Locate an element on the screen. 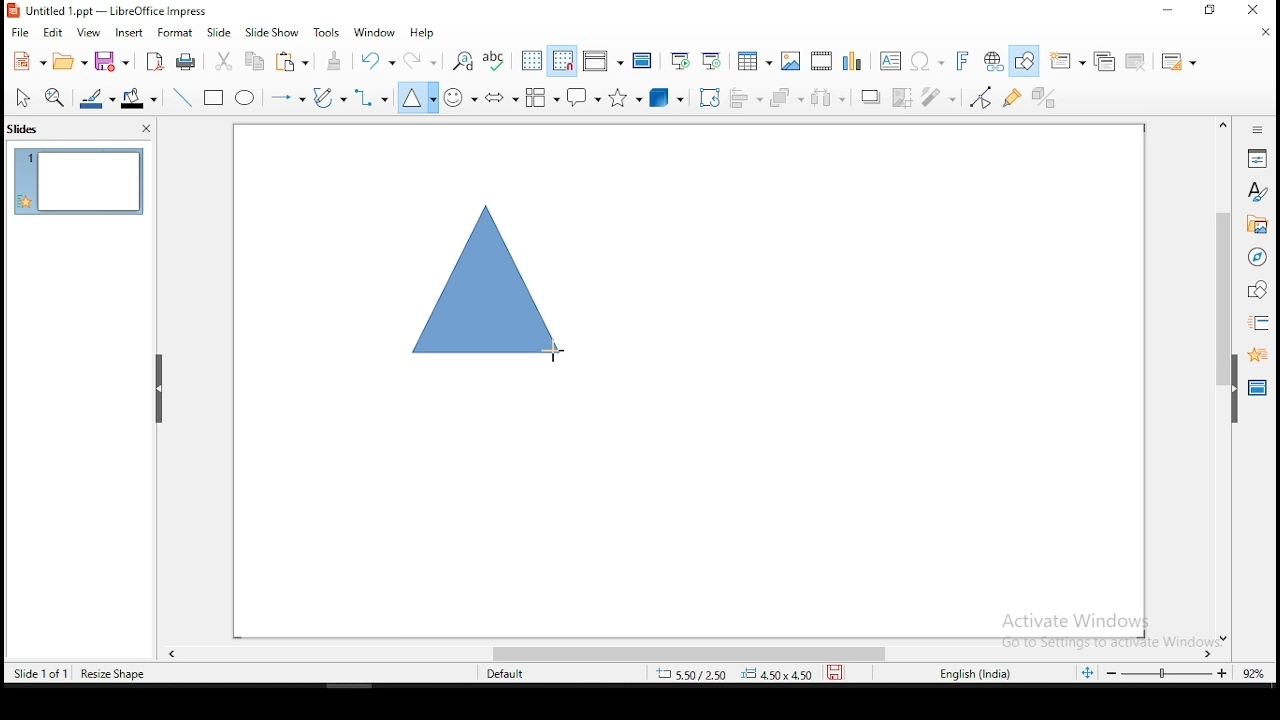 The image size is (1280, 720). zoom and pan is located at coordinates (58, 97).